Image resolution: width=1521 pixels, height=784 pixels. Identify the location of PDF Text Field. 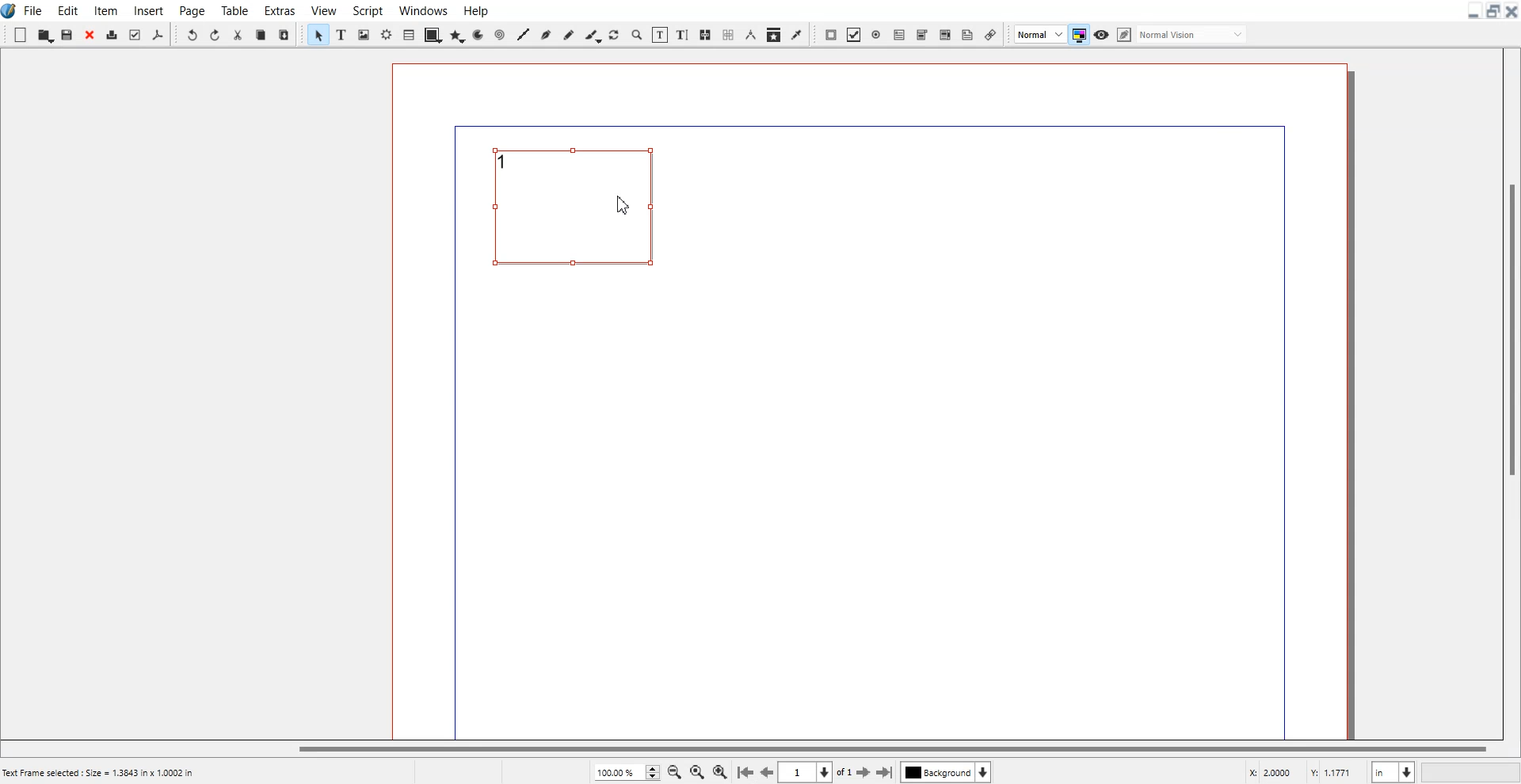
(899, 34).